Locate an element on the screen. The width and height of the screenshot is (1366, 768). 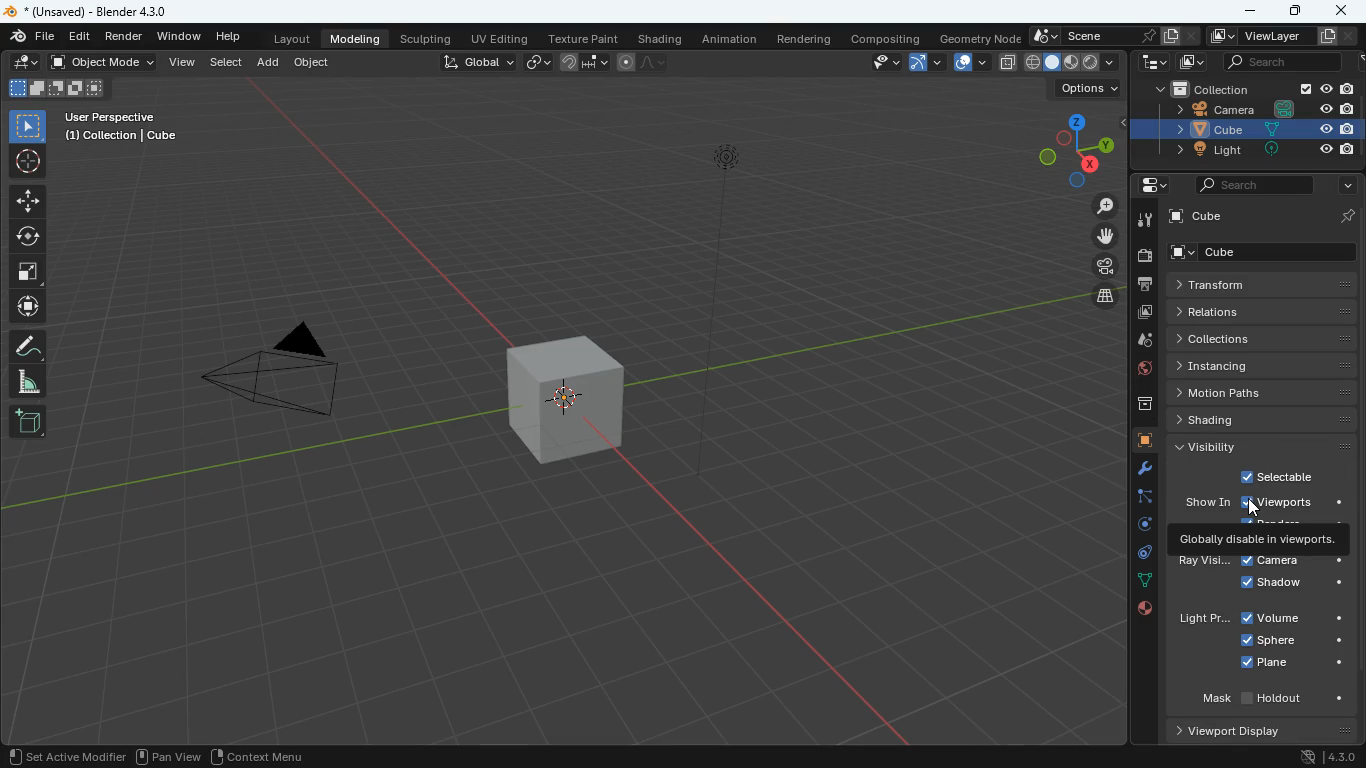
more is located at coordinates (1343, 187).